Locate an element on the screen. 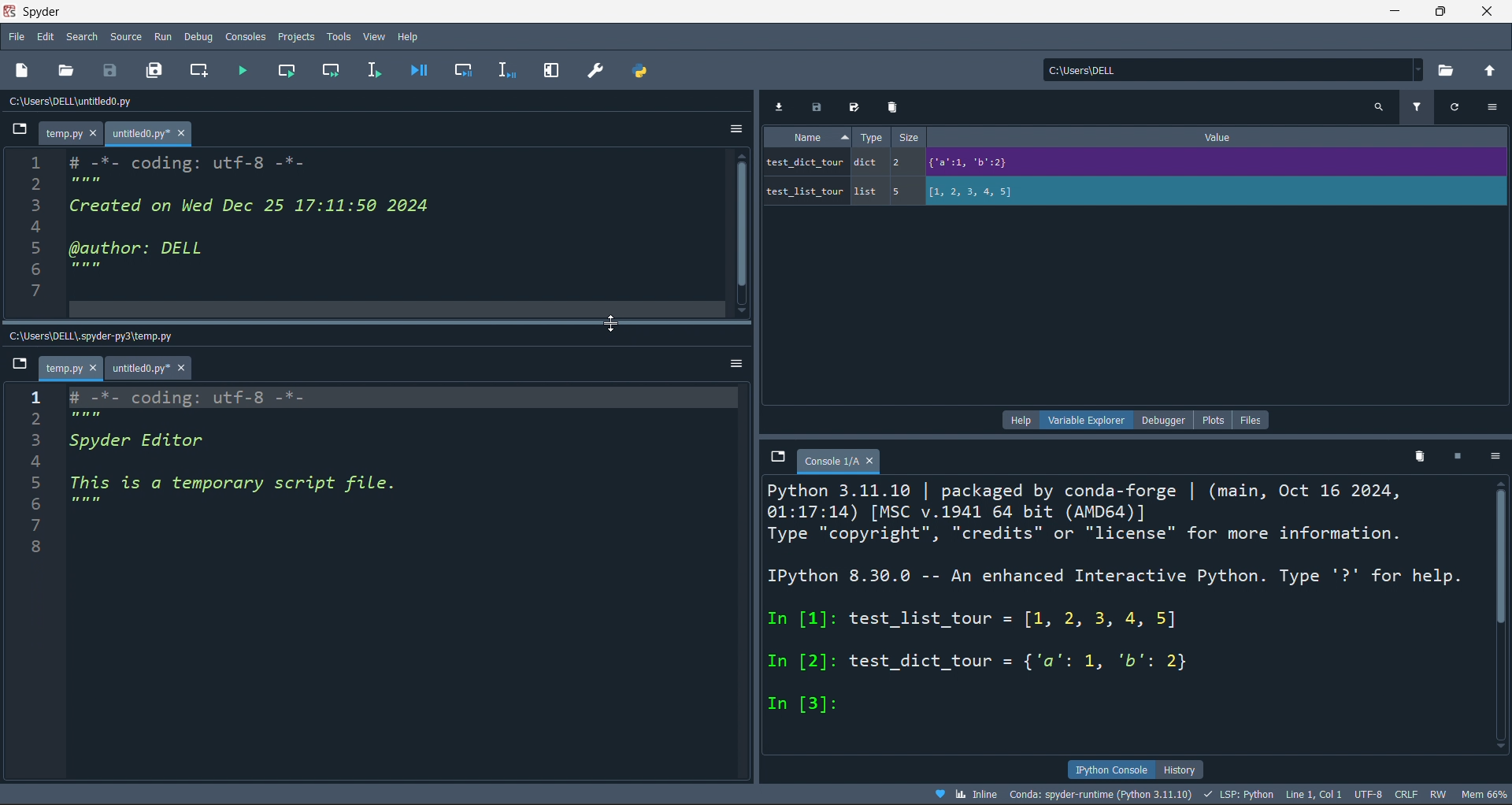 The image size is (1512, 805). 4 is located at coordinates (45, 227).